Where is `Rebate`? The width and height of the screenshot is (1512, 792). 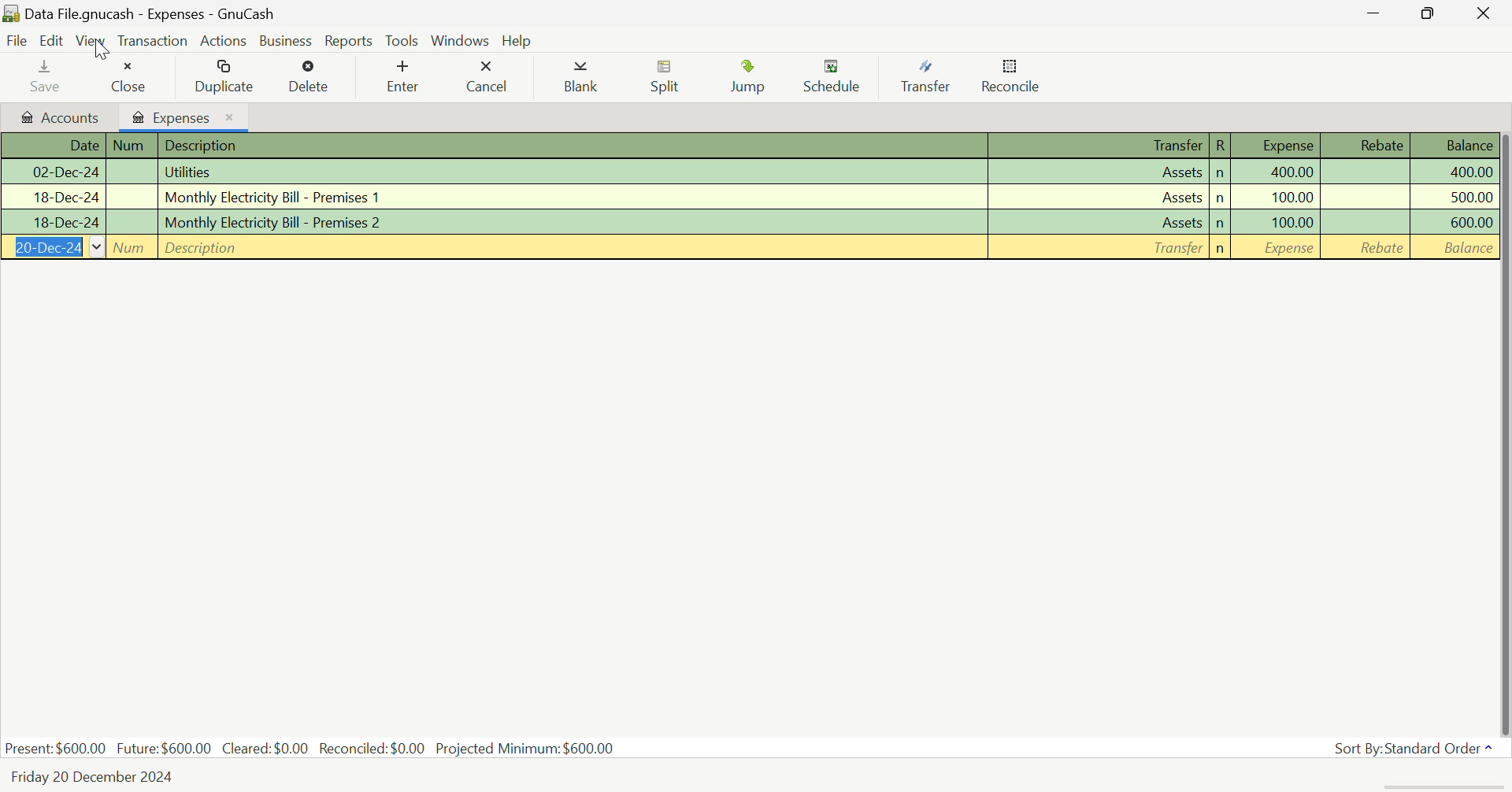
Rebate is located at coordinates (1365, 196).